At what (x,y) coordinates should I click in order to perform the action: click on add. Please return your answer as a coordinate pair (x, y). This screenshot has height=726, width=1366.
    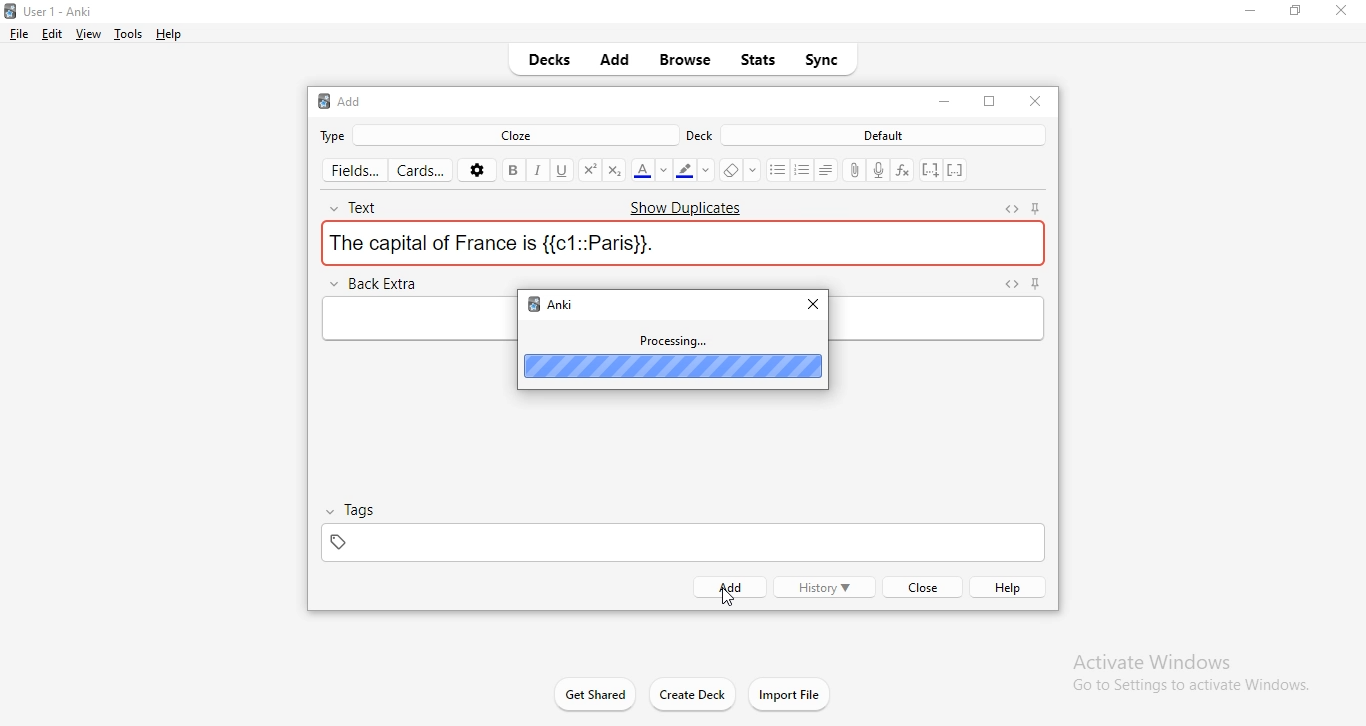
    Looking at the image, I should click on (340, 102).